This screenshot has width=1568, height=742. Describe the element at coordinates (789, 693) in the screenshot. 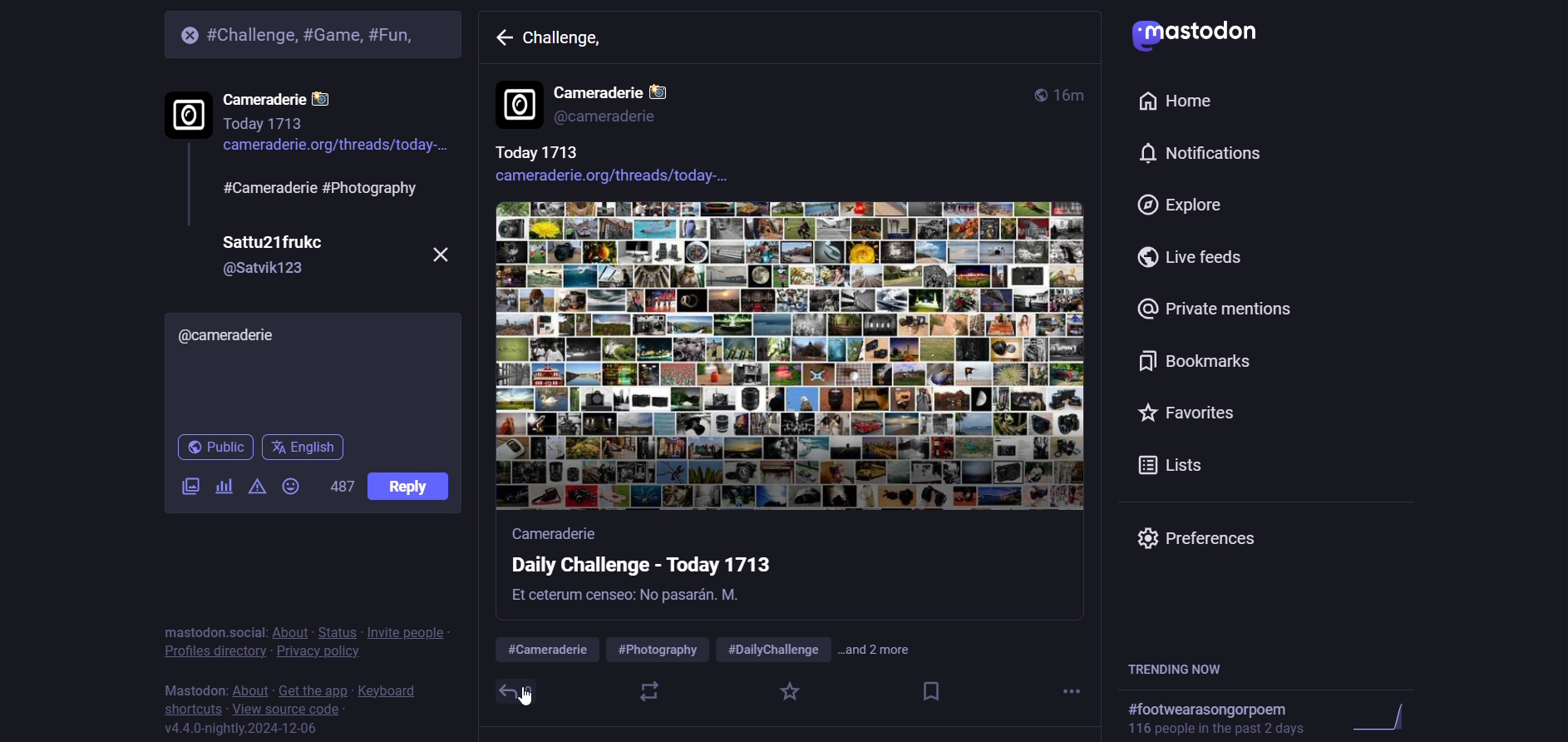

I see `favorite` at that location.